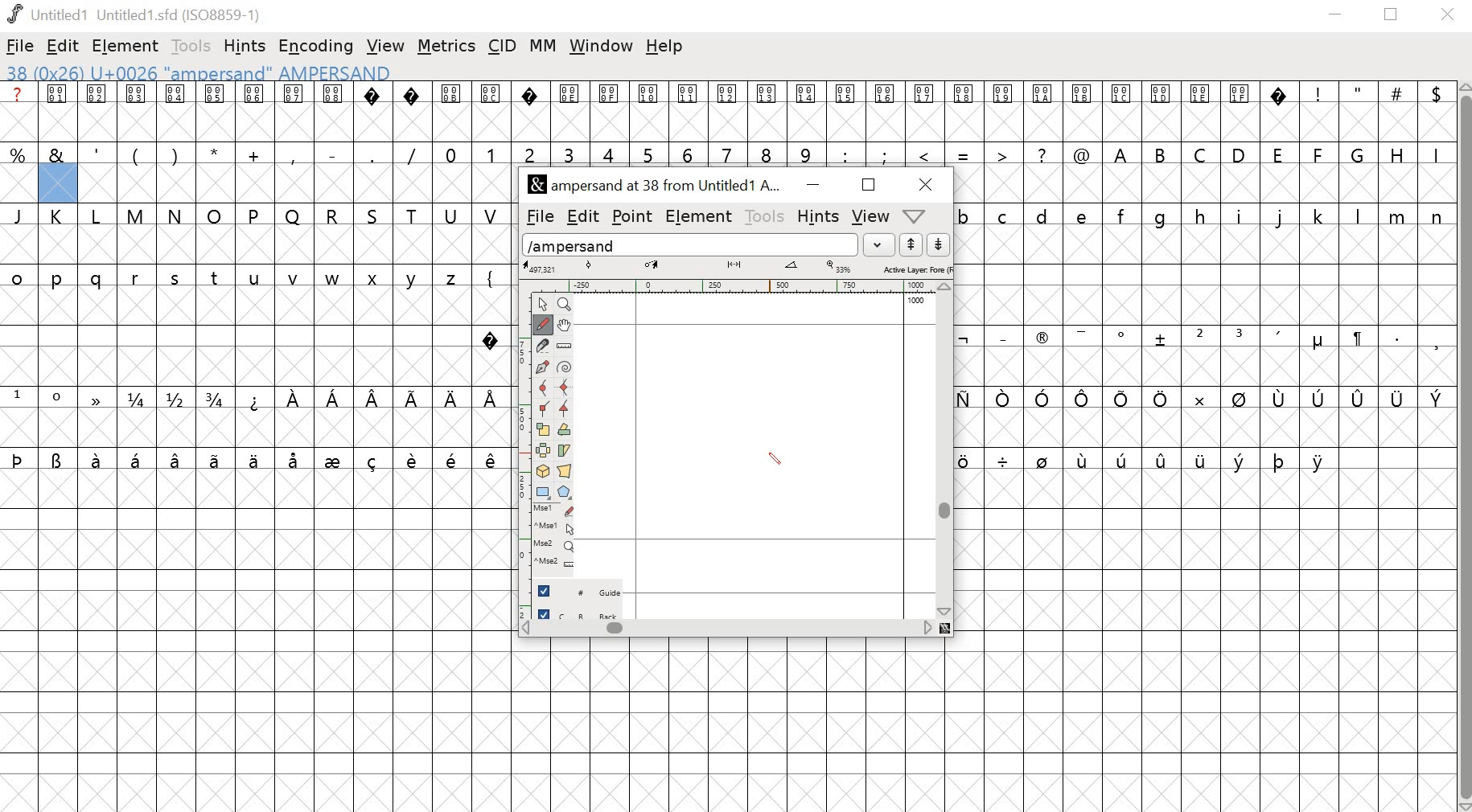 This screenshot has height=812, width=1472. Describe the element at coordinates (215, 215) in the screenshot. I see `O` at that location.